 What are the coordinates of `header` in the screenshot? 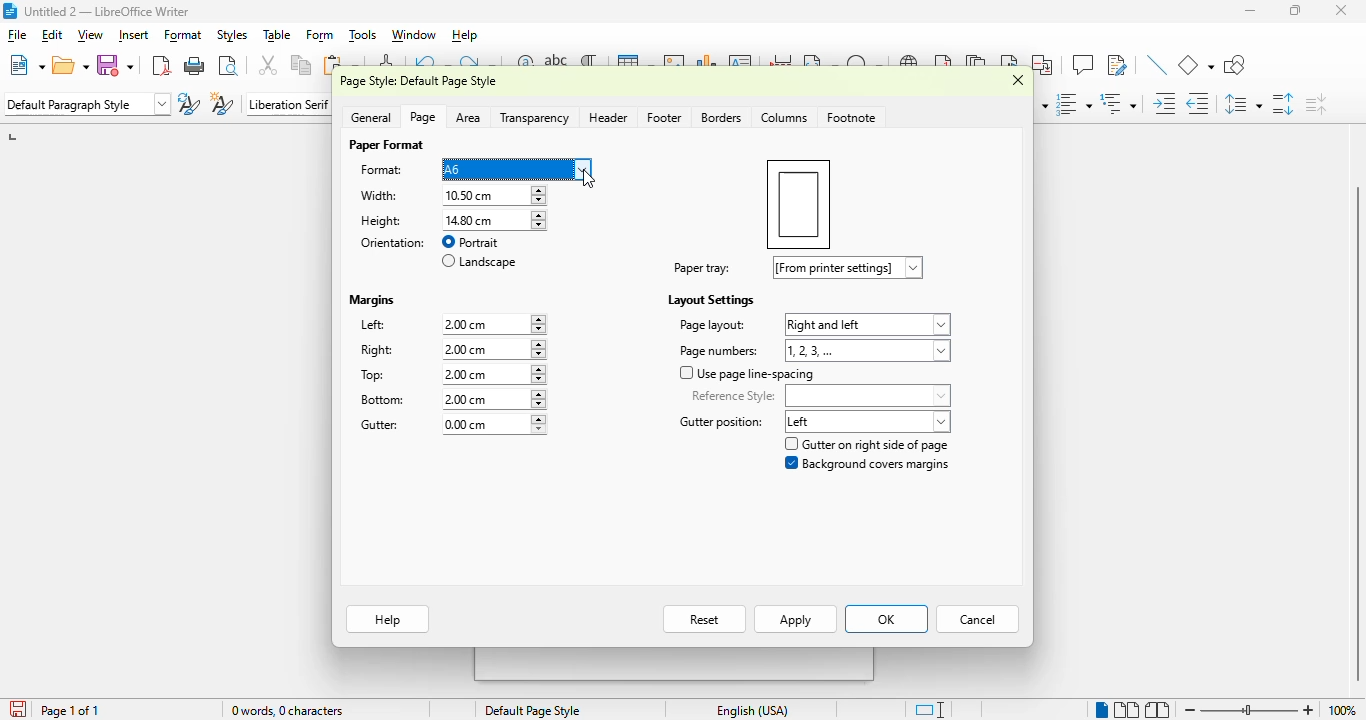 It's located at (608, 117).